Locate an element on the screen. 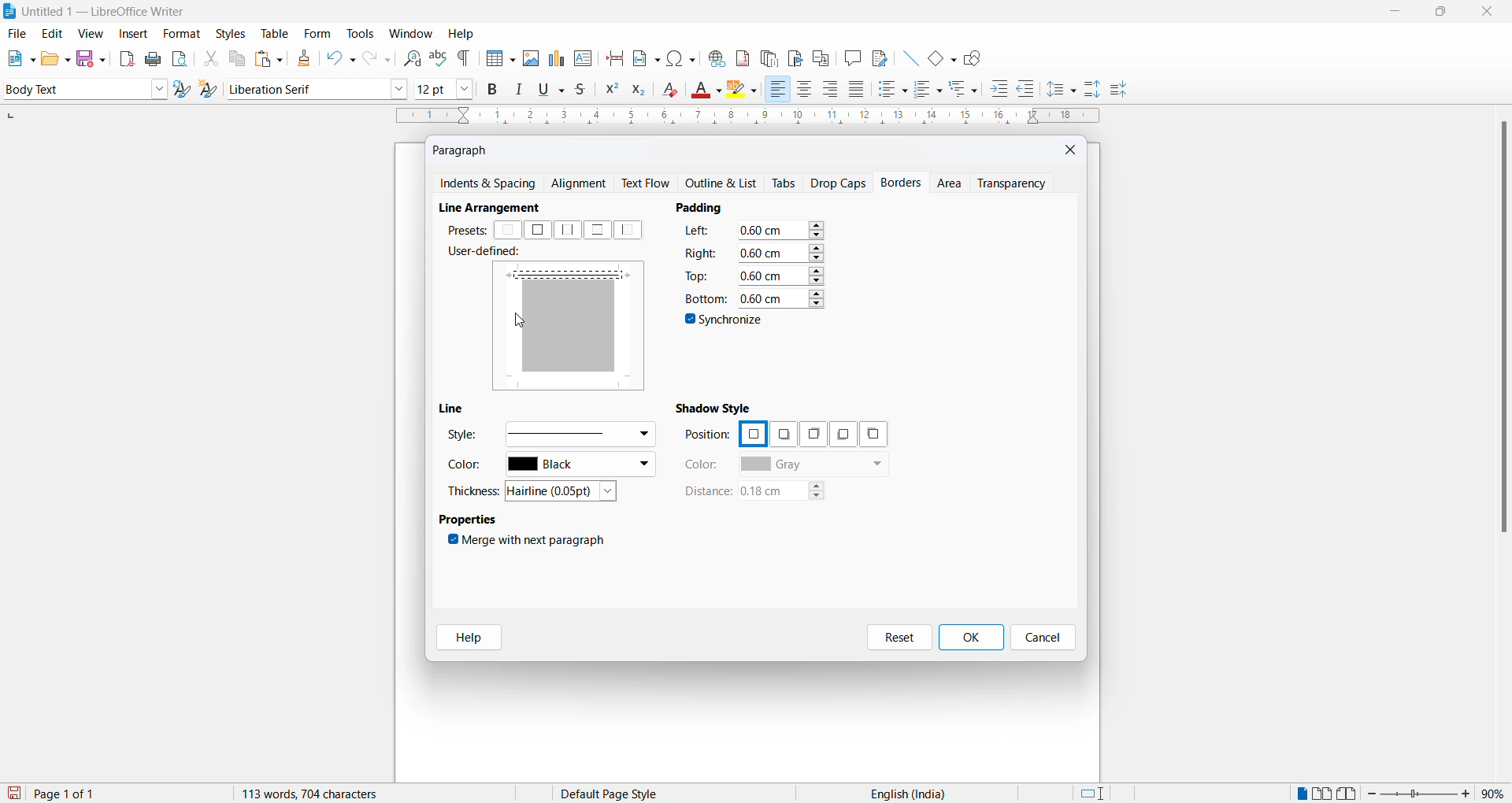 Image resolution: width=1512 pixels, height=803 pixels. color options is located at coordinates (580, 466).